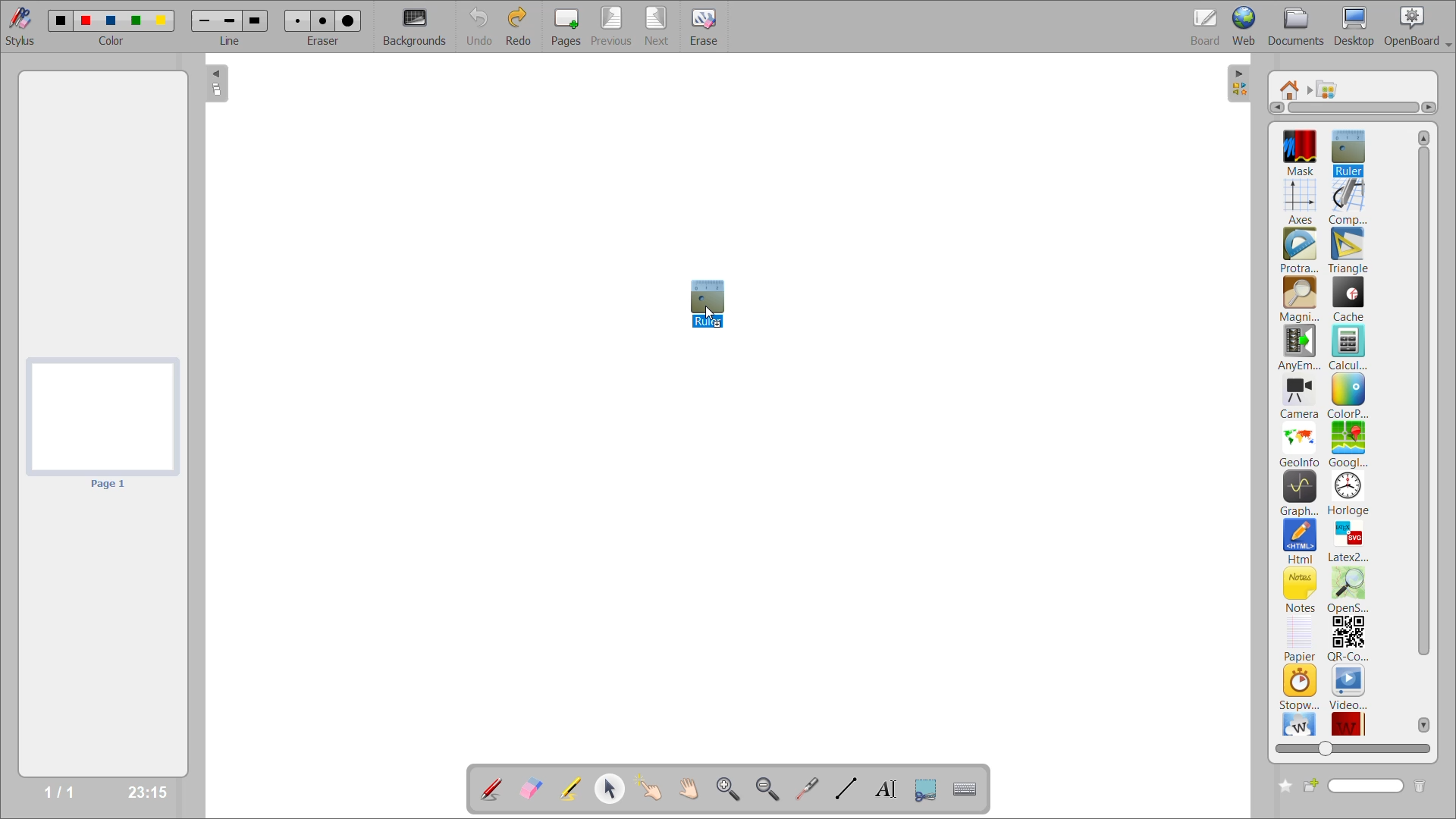  I want to click on graphme, so click(1300, 494).